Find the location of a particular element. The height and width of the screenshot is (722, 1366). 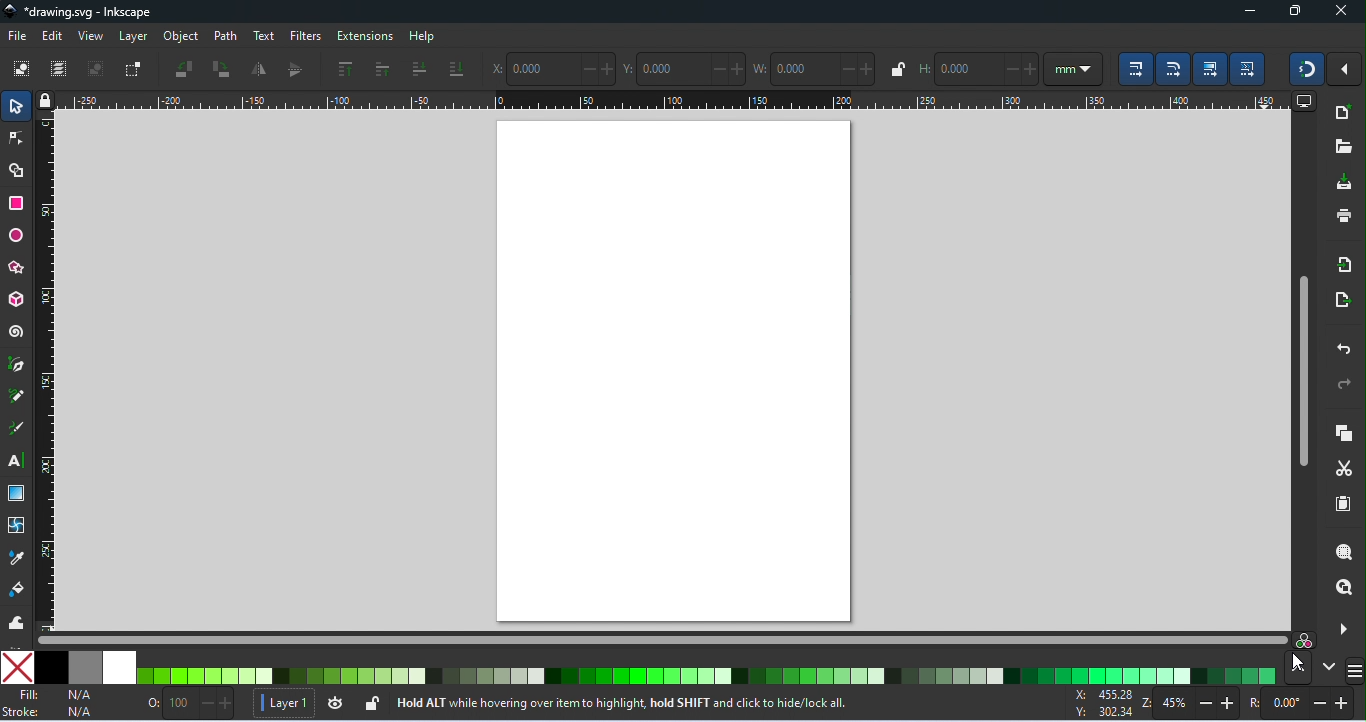

path is located at coordinates (224, 36).